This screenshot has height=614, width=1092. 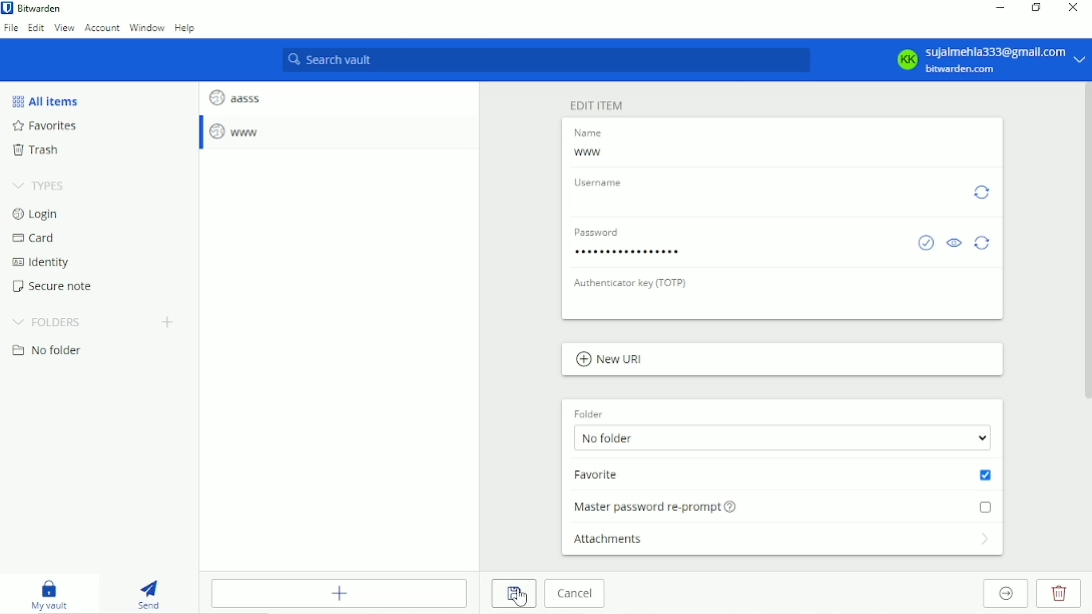 What do you see at coordinates (152, 594) in the screenshot?
I see `Send` at bounding box center [152, 594].